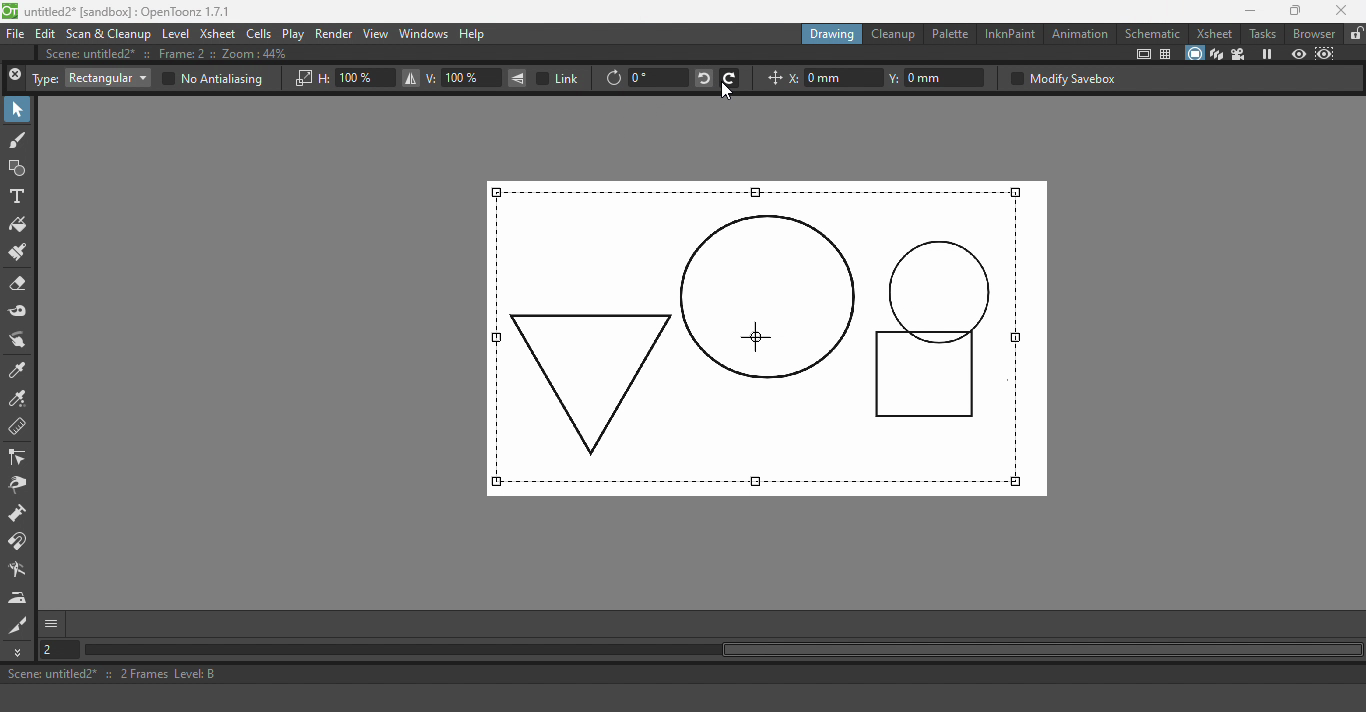  I want to click on Y: 0mm, so click(939, 78).